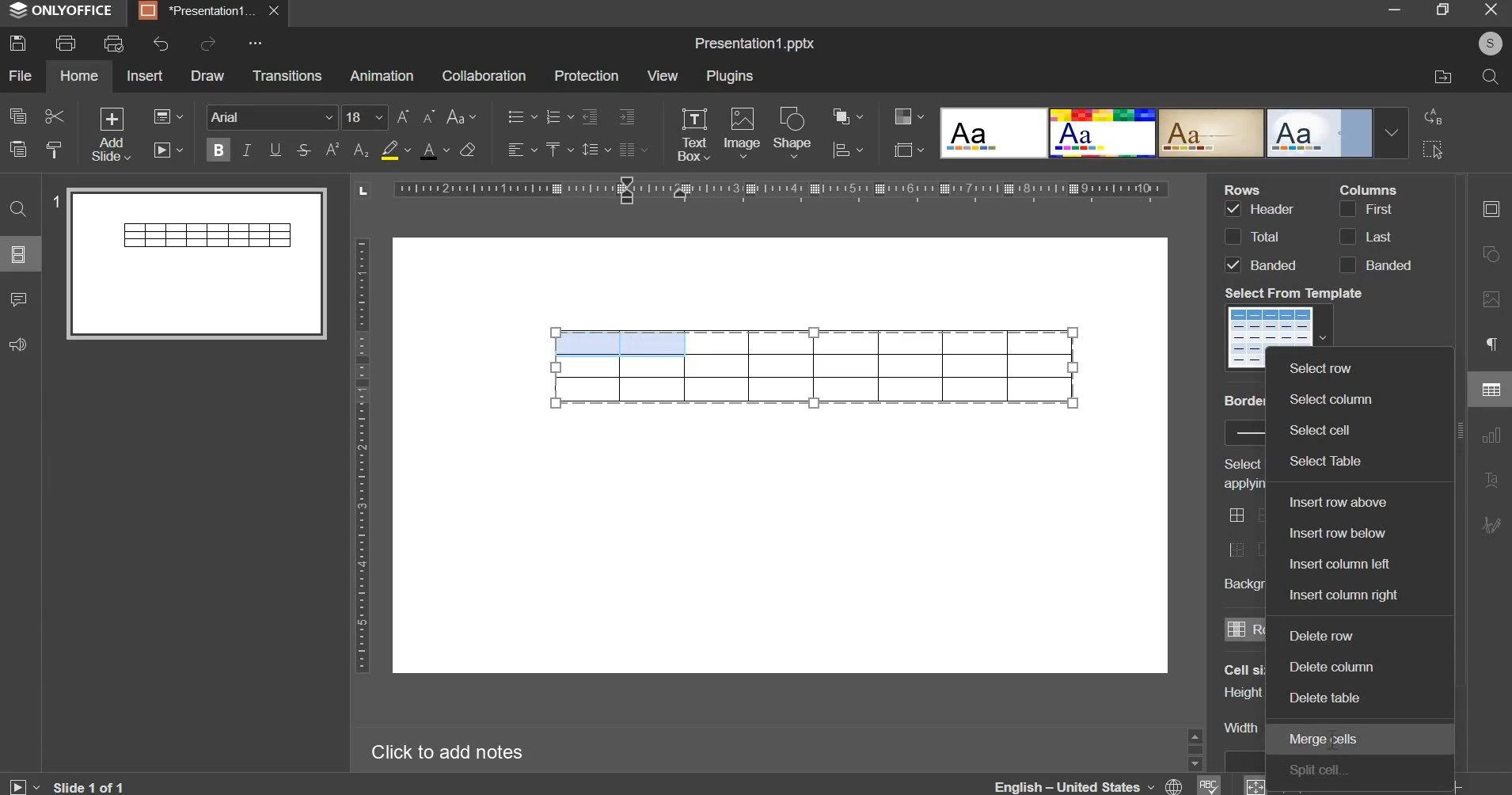 The height and width of the screenshot is (795, 1512). I want to click on horizontal scale, so click(780, 188).